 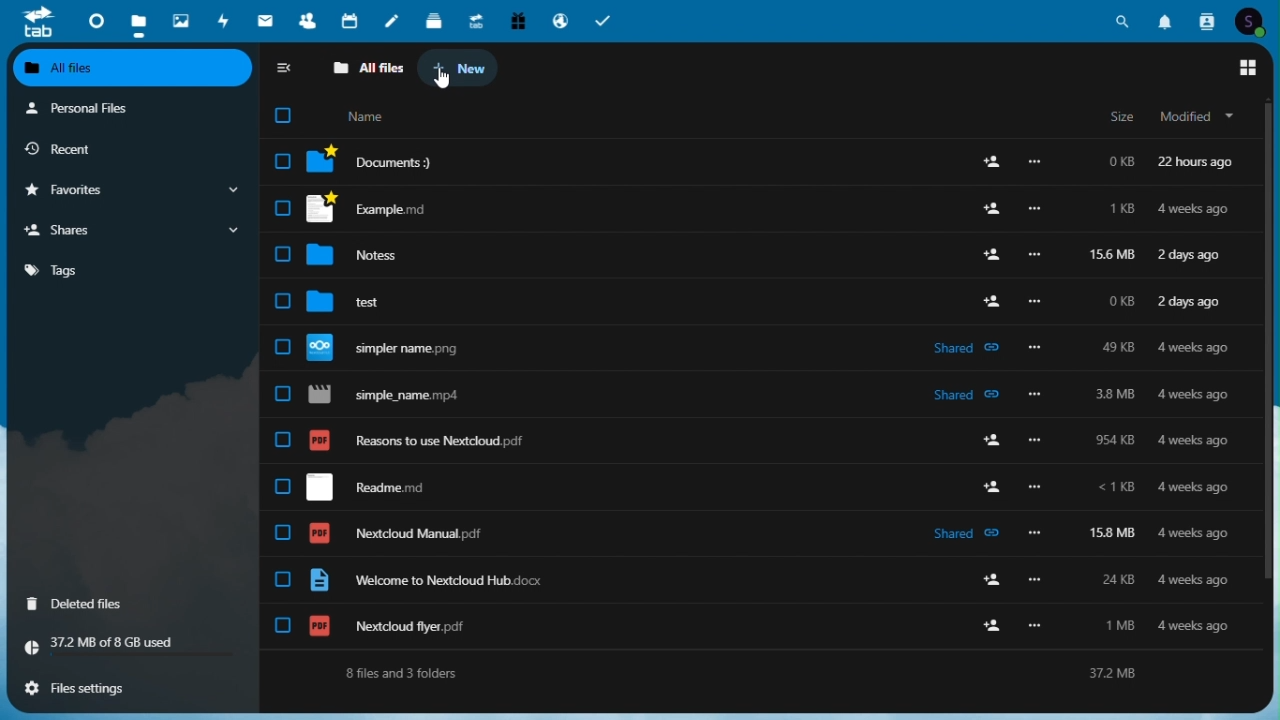 What do you see at coordinates (1196, 443) in the screenshot?
I see `4 weeks ago` at bounding box center [1196, 443].